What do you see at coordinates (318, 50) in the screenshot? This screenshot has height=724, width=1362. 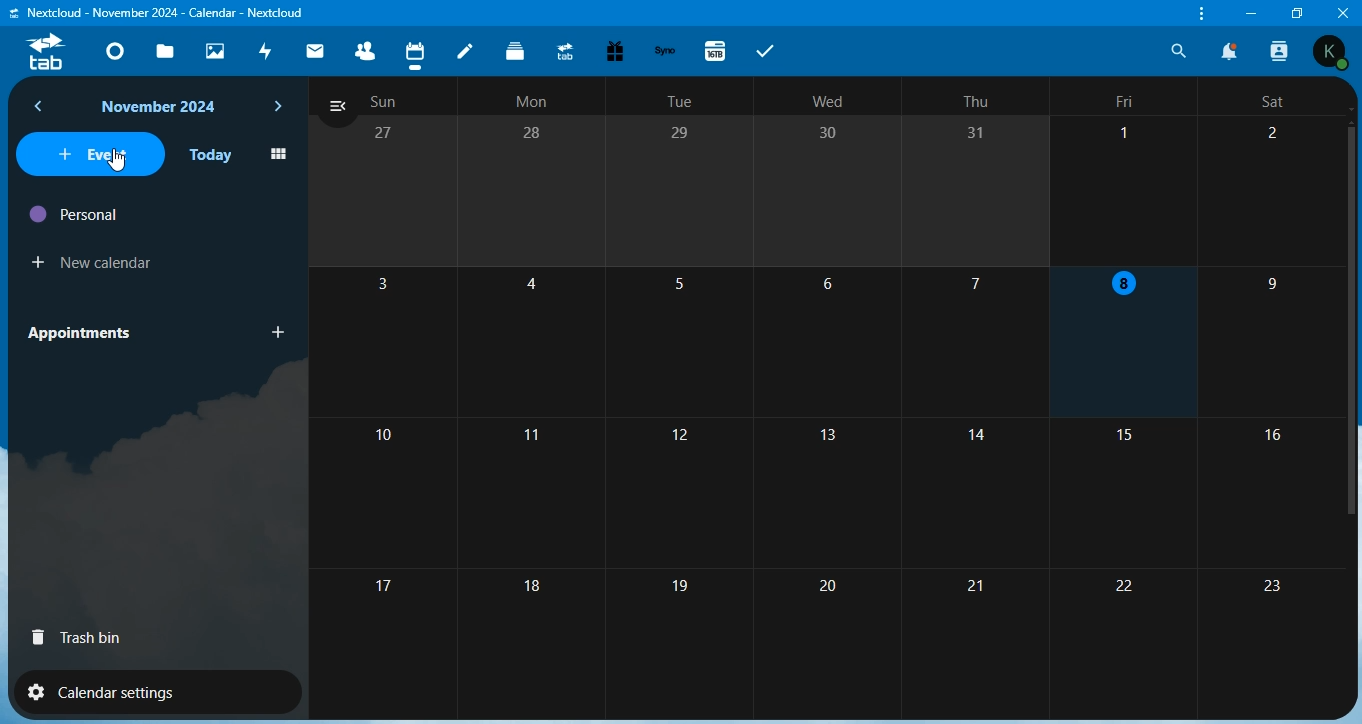 I see `mail` at bounding box center [318, 50].